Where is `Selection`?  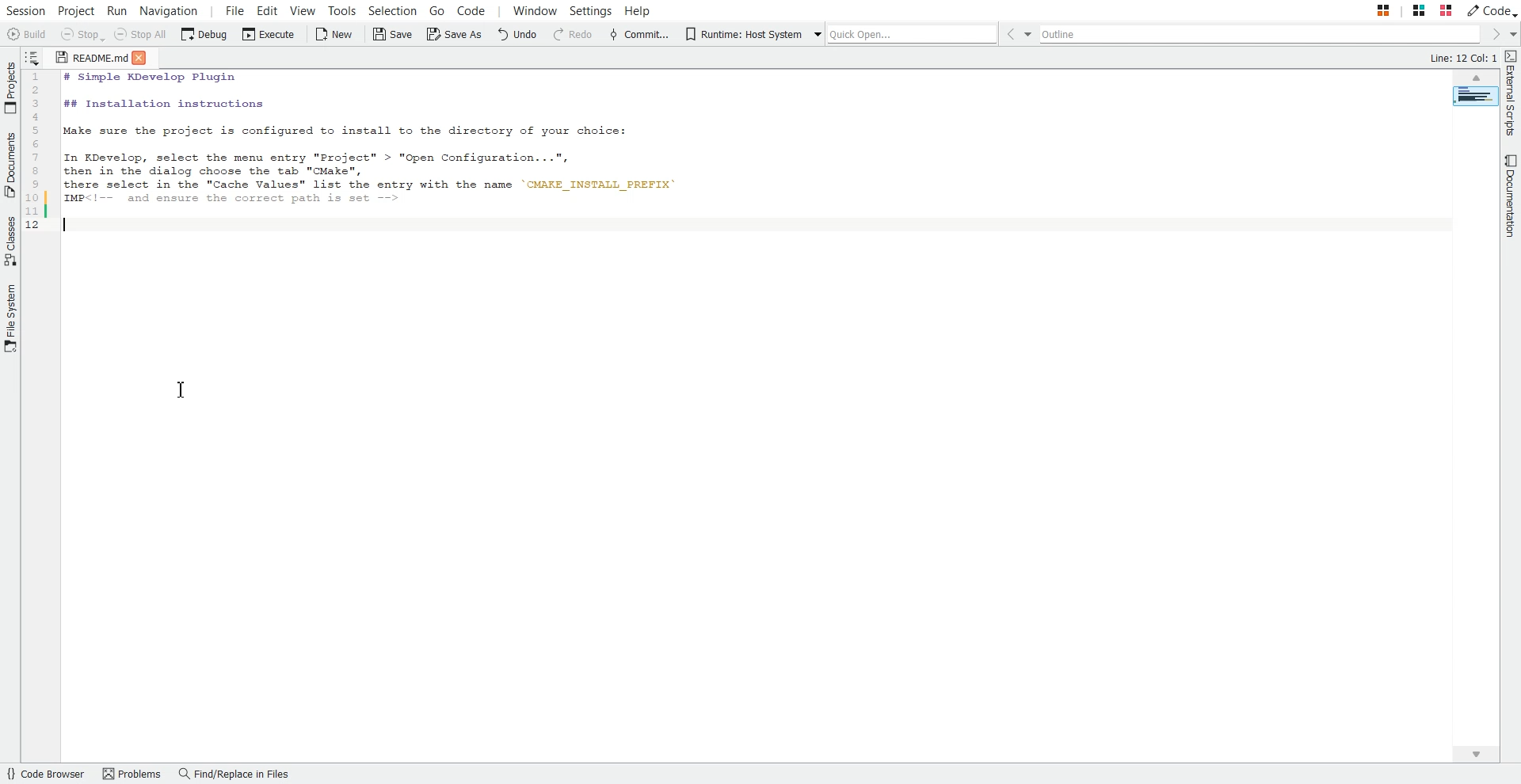
Selection is located at coordinates (394, 10).